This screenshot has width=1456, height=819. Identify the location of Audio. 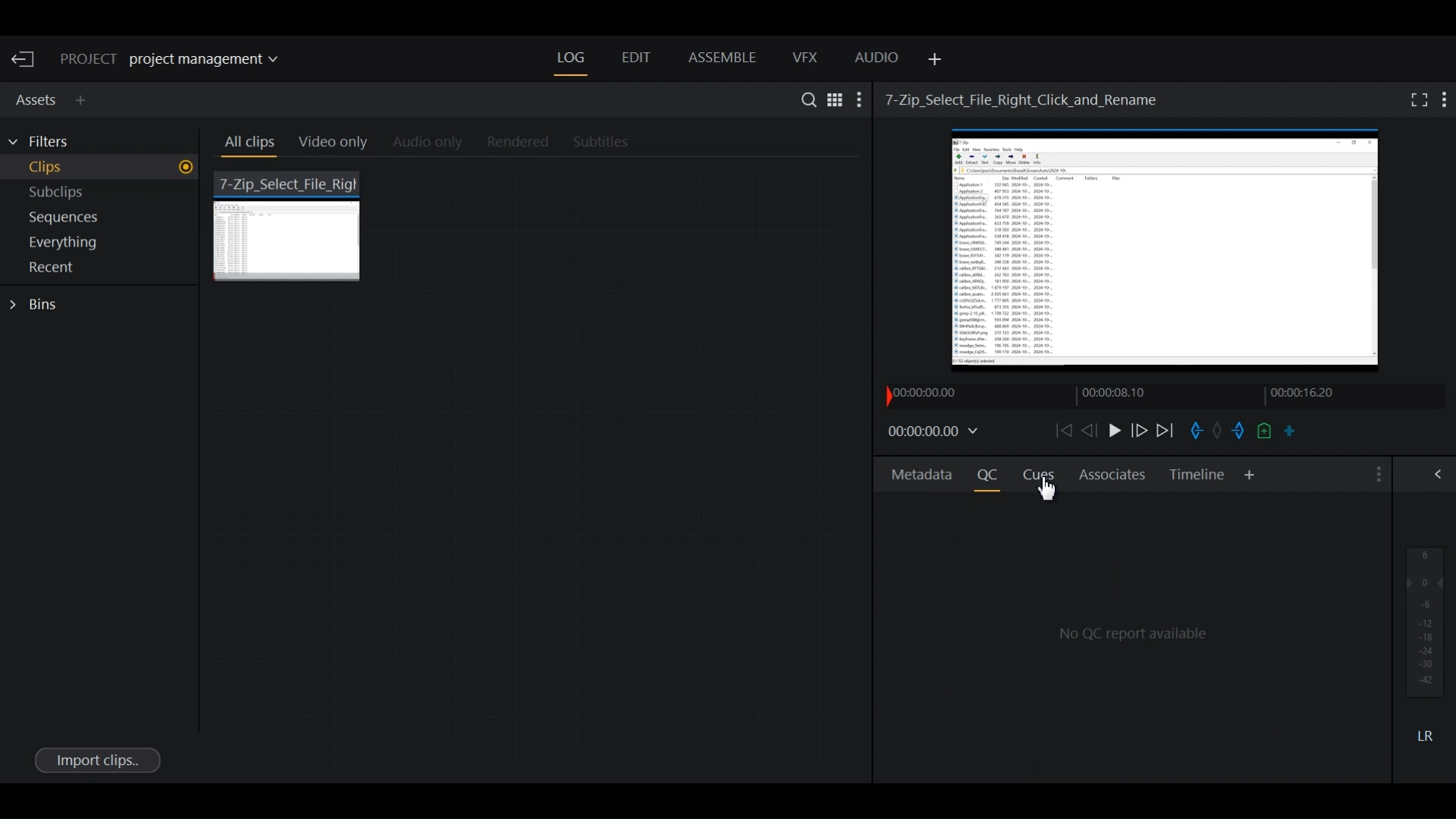
(877, 60).